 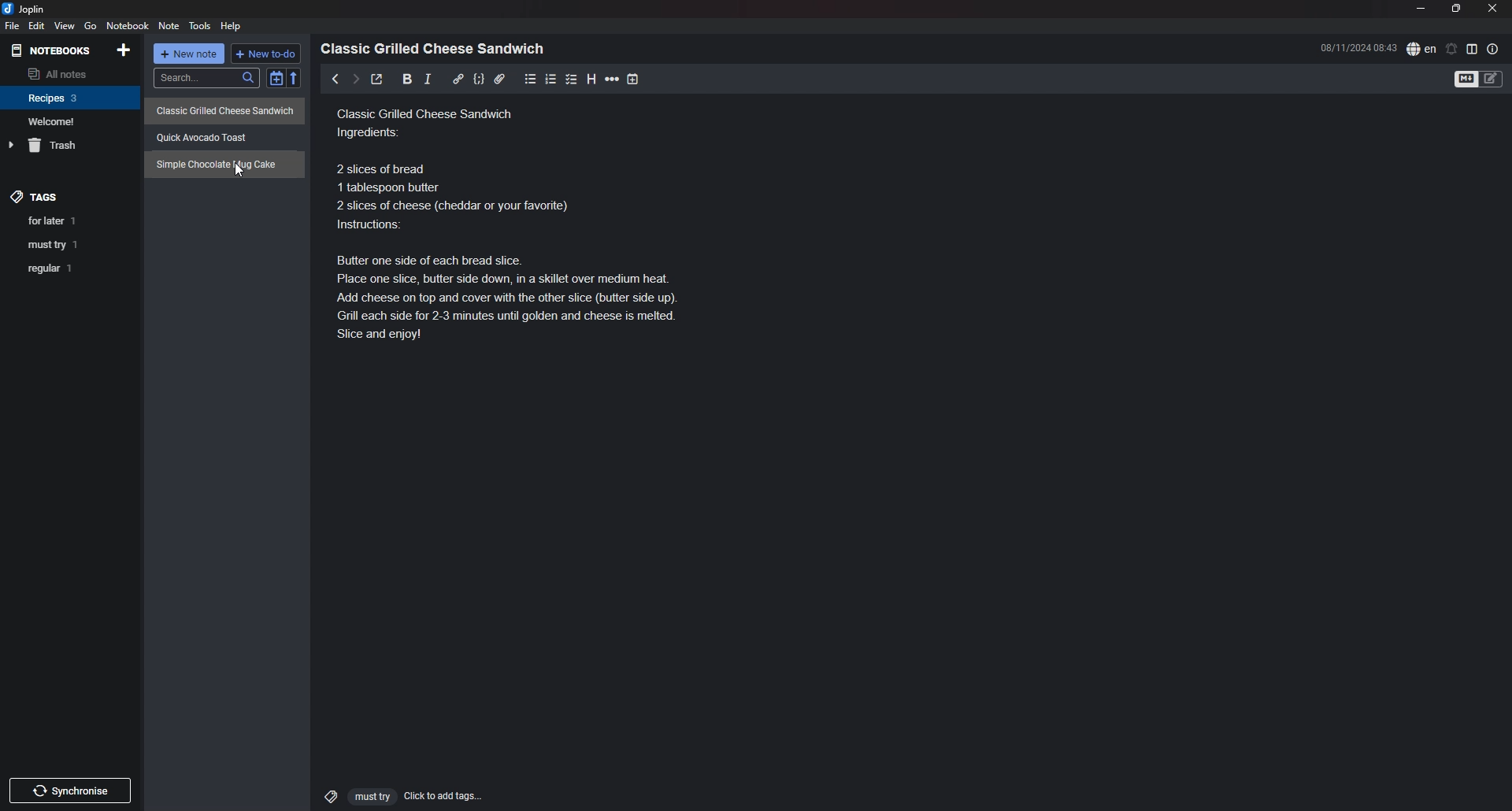 What do you see at coordinates (53, 50) in the screenshot?
I see `notebooks` at bounding box center [53, 50].